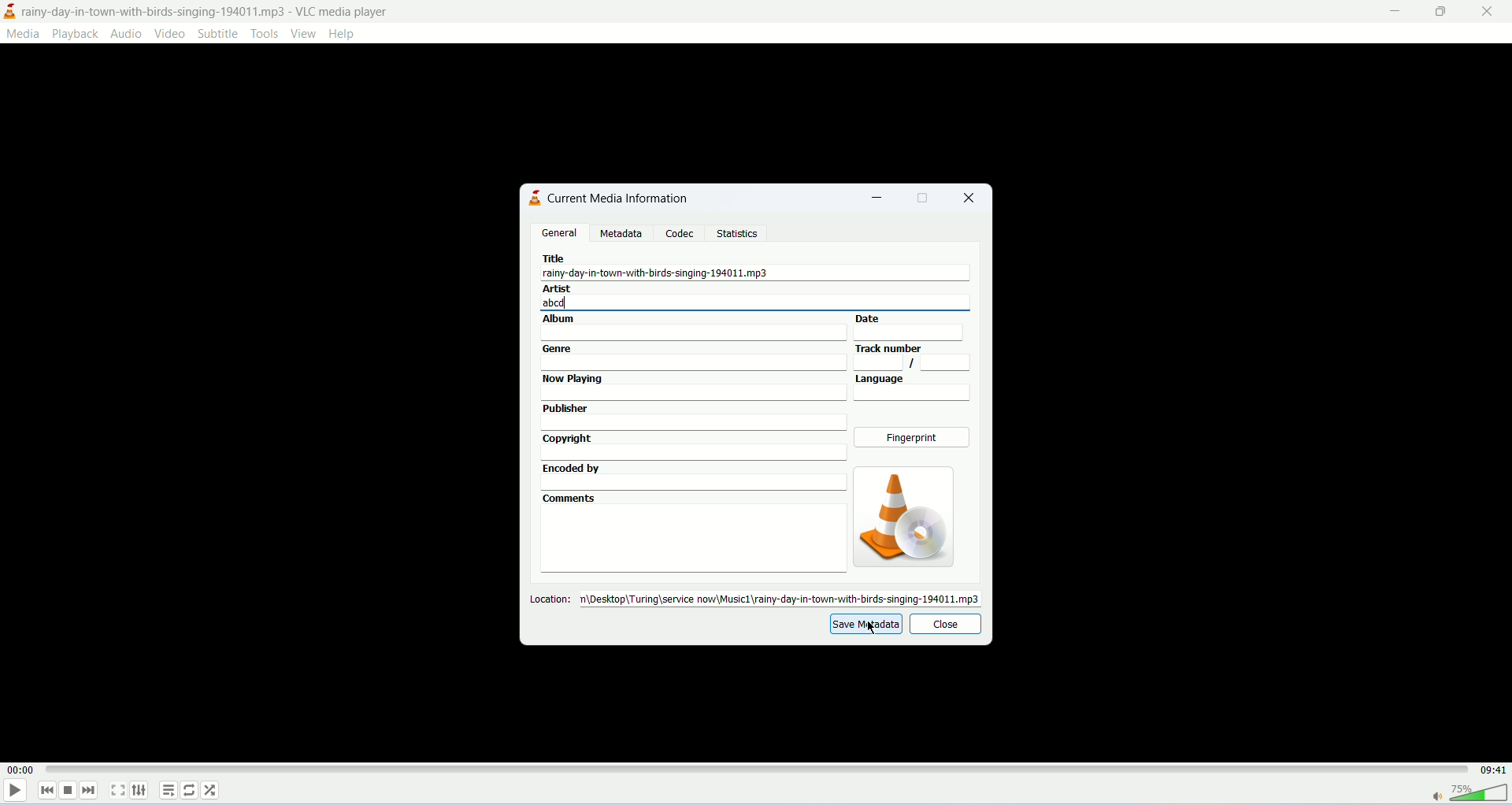  Describe the element at coordinates (974, 198) in the screenshot. I see `close` at that location.